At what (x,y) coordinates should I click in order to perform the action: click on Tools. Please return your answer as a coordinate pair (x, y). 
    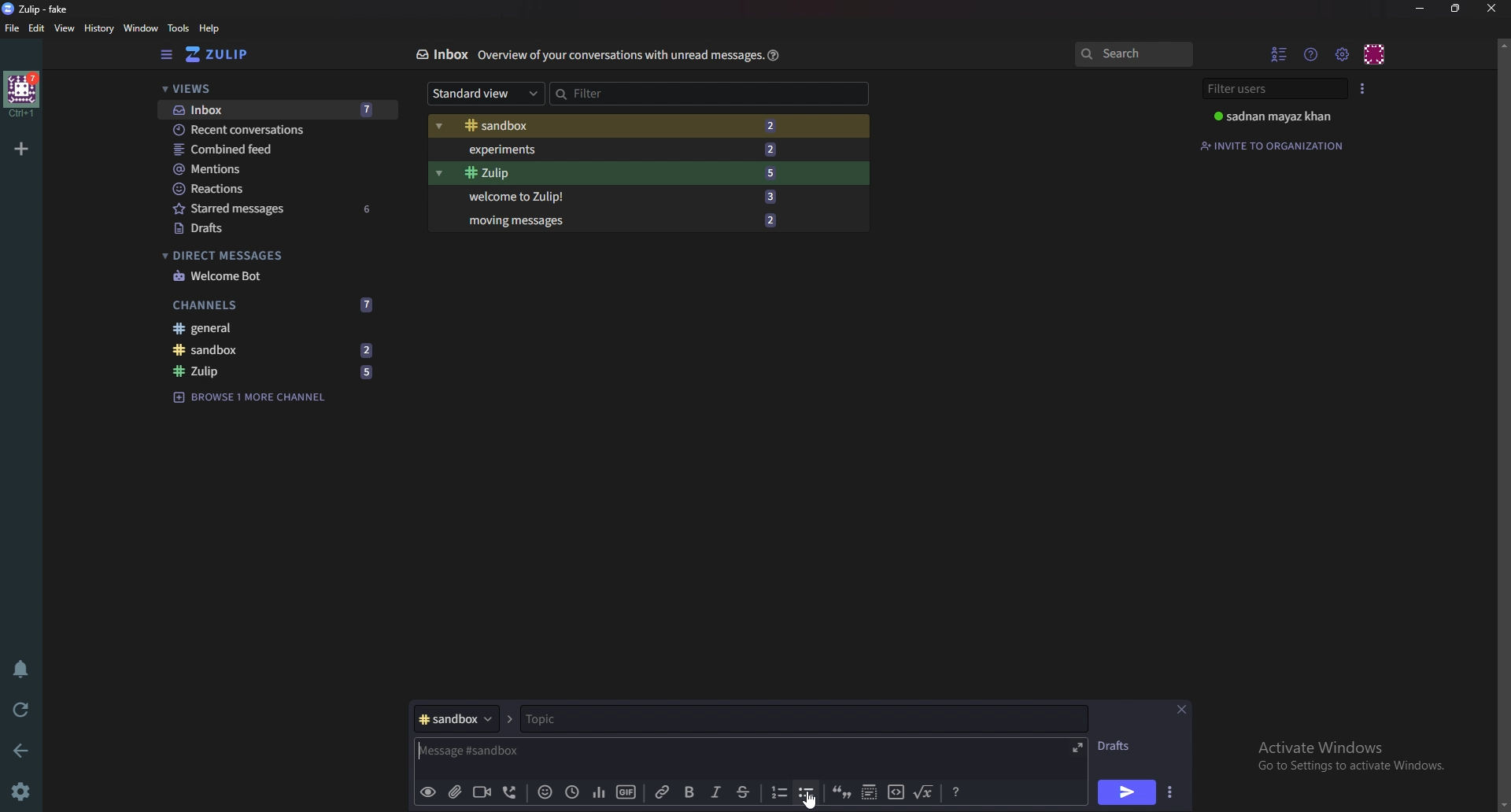
    Looking at the image, I should click on (179, 28).